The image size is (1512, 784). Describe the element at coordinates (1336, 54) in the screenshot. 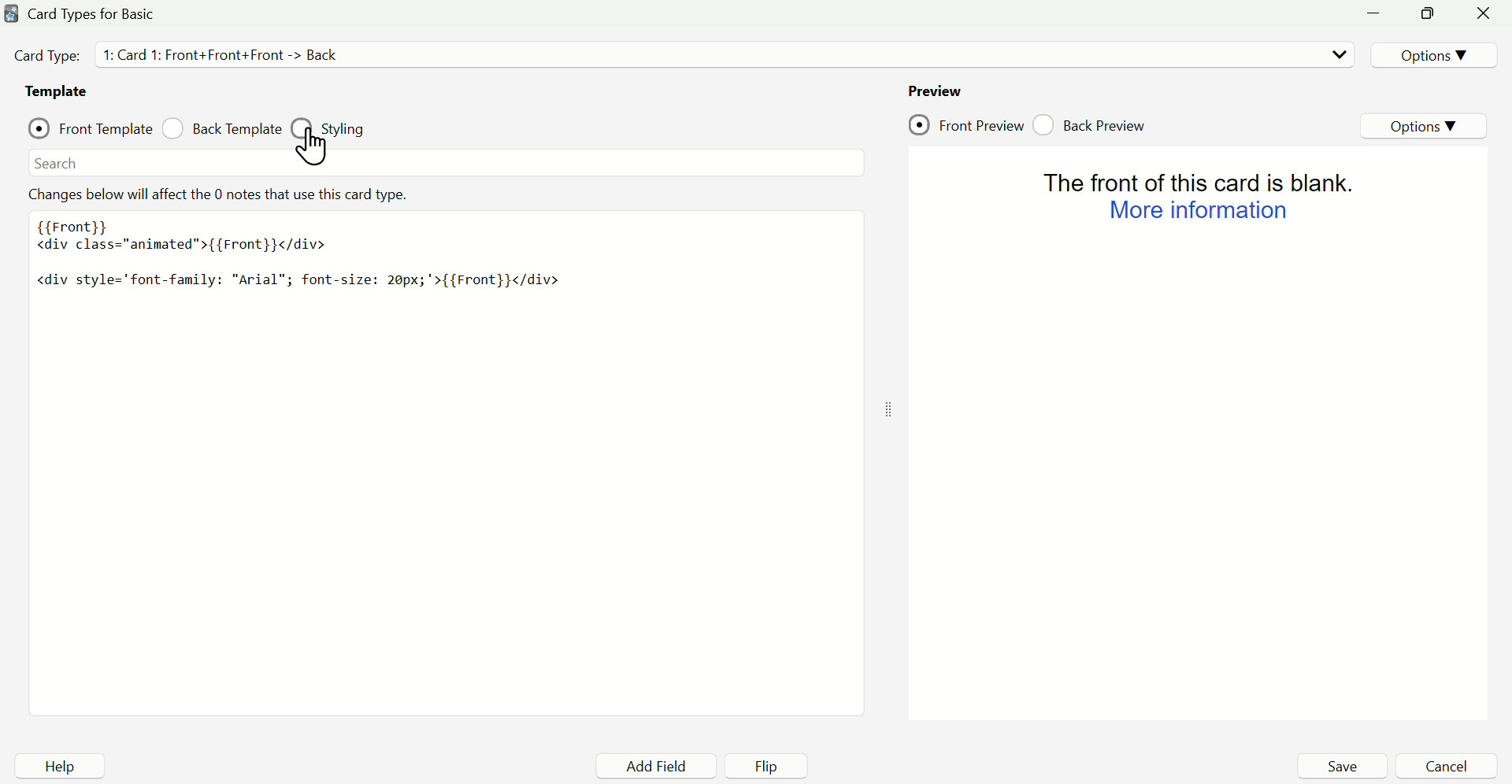

I see `Dropdown` at that location.